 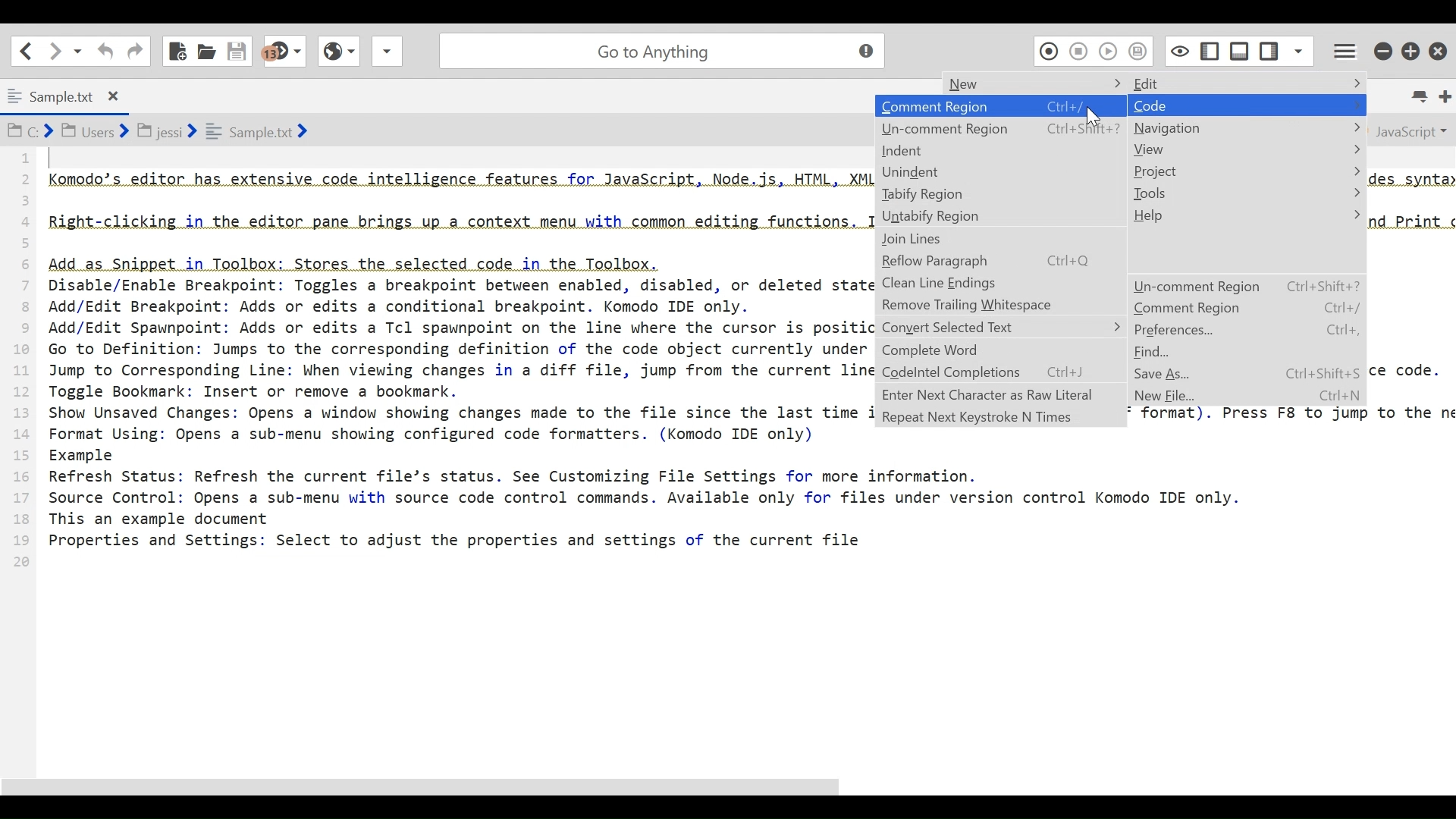 What do you see at coordinates (1002, 106) in the screenshot?
I see `Comment Region` at bounding box center [1002, 106].